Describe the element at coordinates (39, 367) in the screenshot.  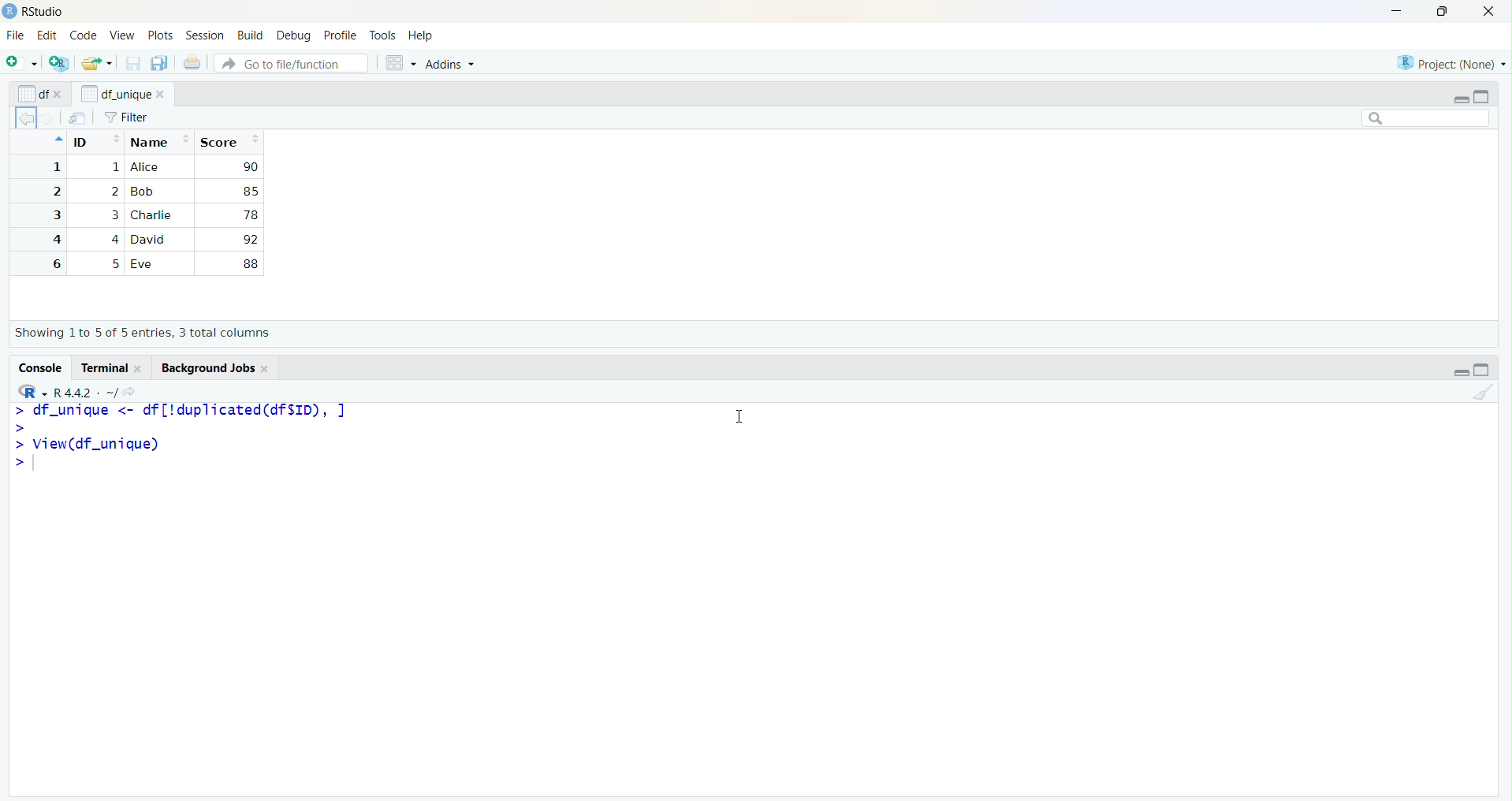
I see `console` at that location.